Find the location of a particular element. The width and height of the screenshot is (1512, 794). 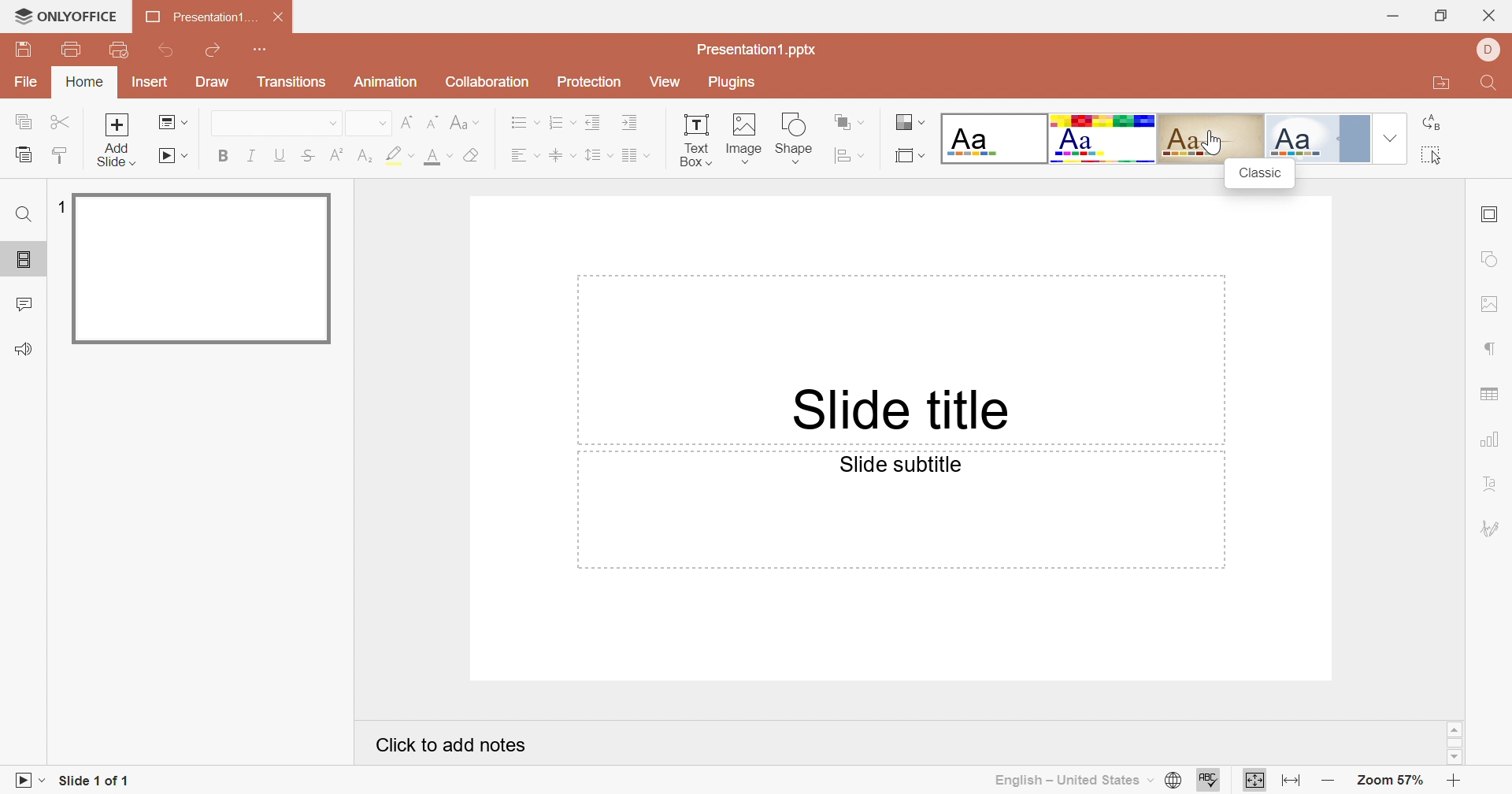

Table settings is located at coordinates (1492, 396).